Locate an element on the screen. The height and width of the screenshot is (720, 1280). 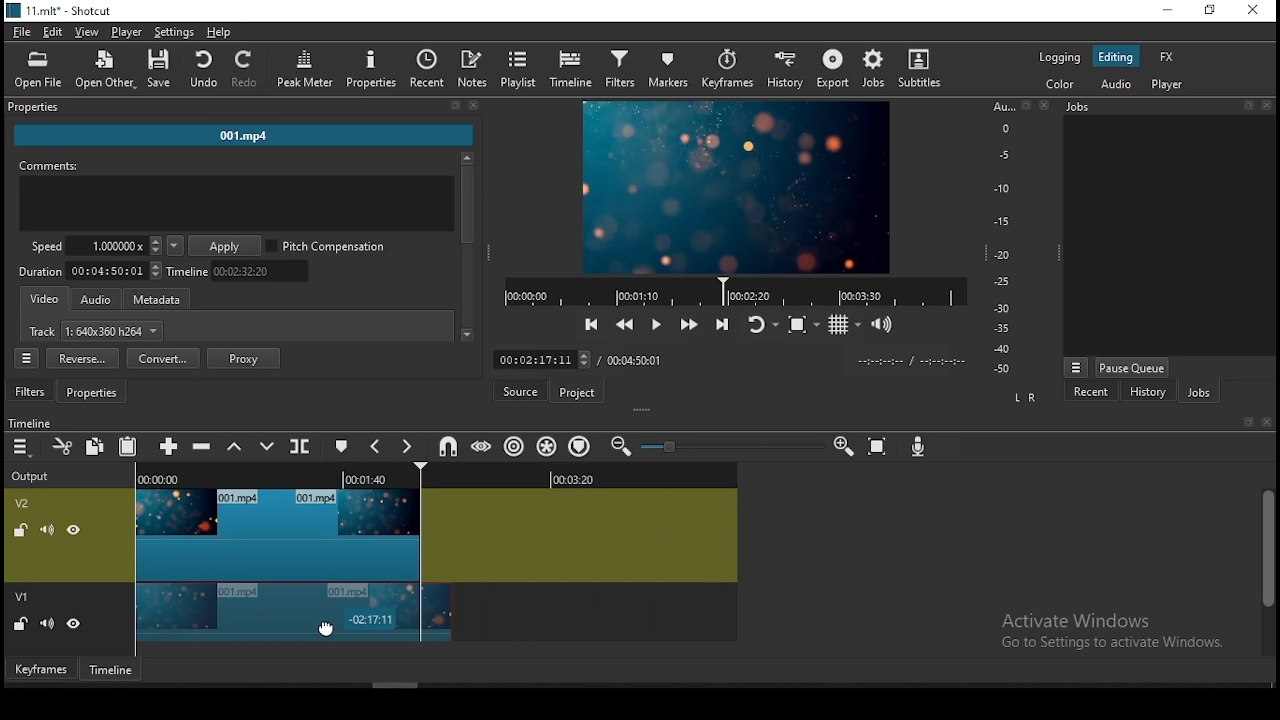
pitch compensation is located at coordinates (327, 247).